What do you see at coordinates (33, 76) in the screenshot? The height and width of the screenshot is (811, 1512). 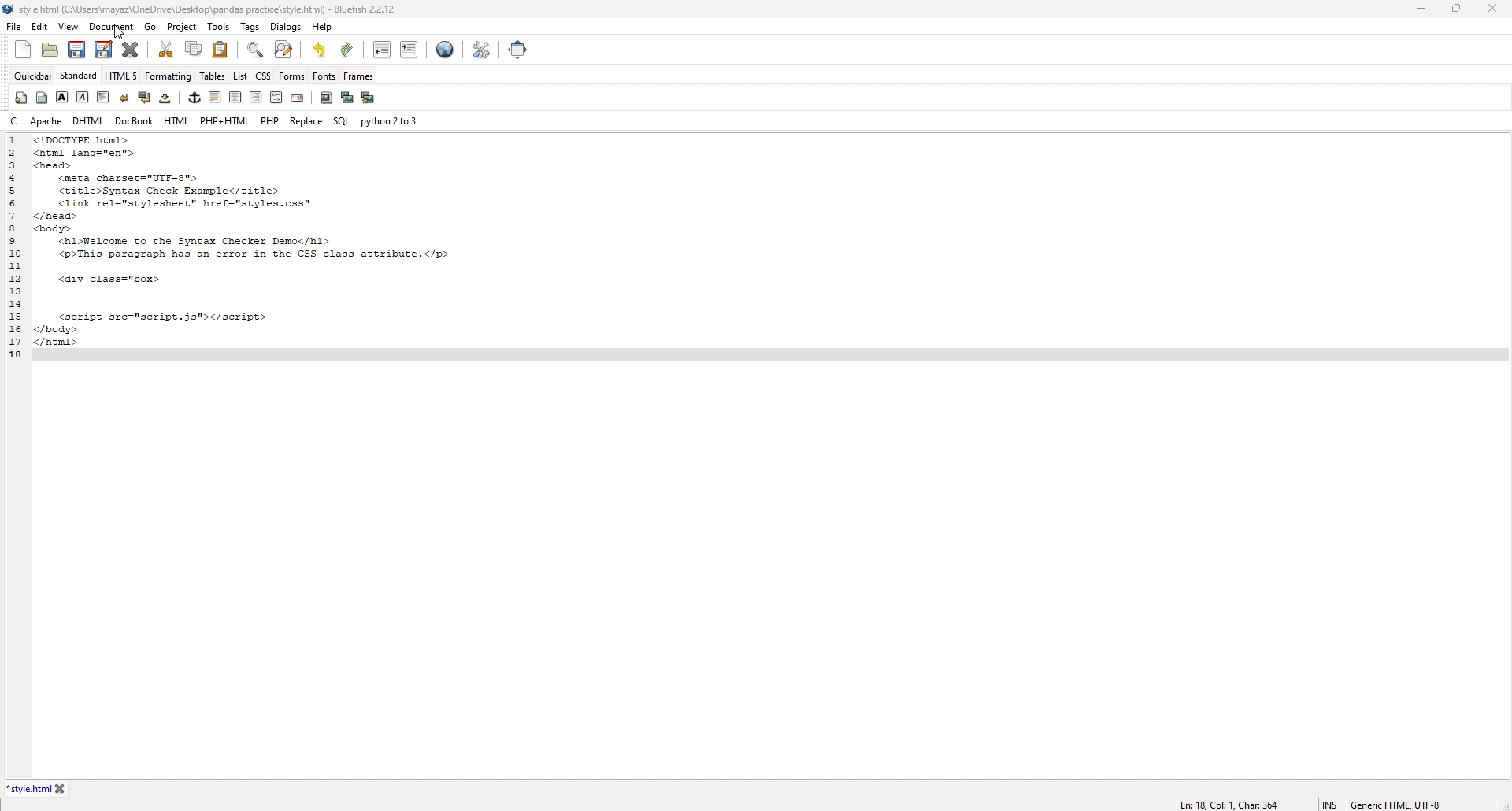 I see `quickbar` at bounding box center [33, 76].